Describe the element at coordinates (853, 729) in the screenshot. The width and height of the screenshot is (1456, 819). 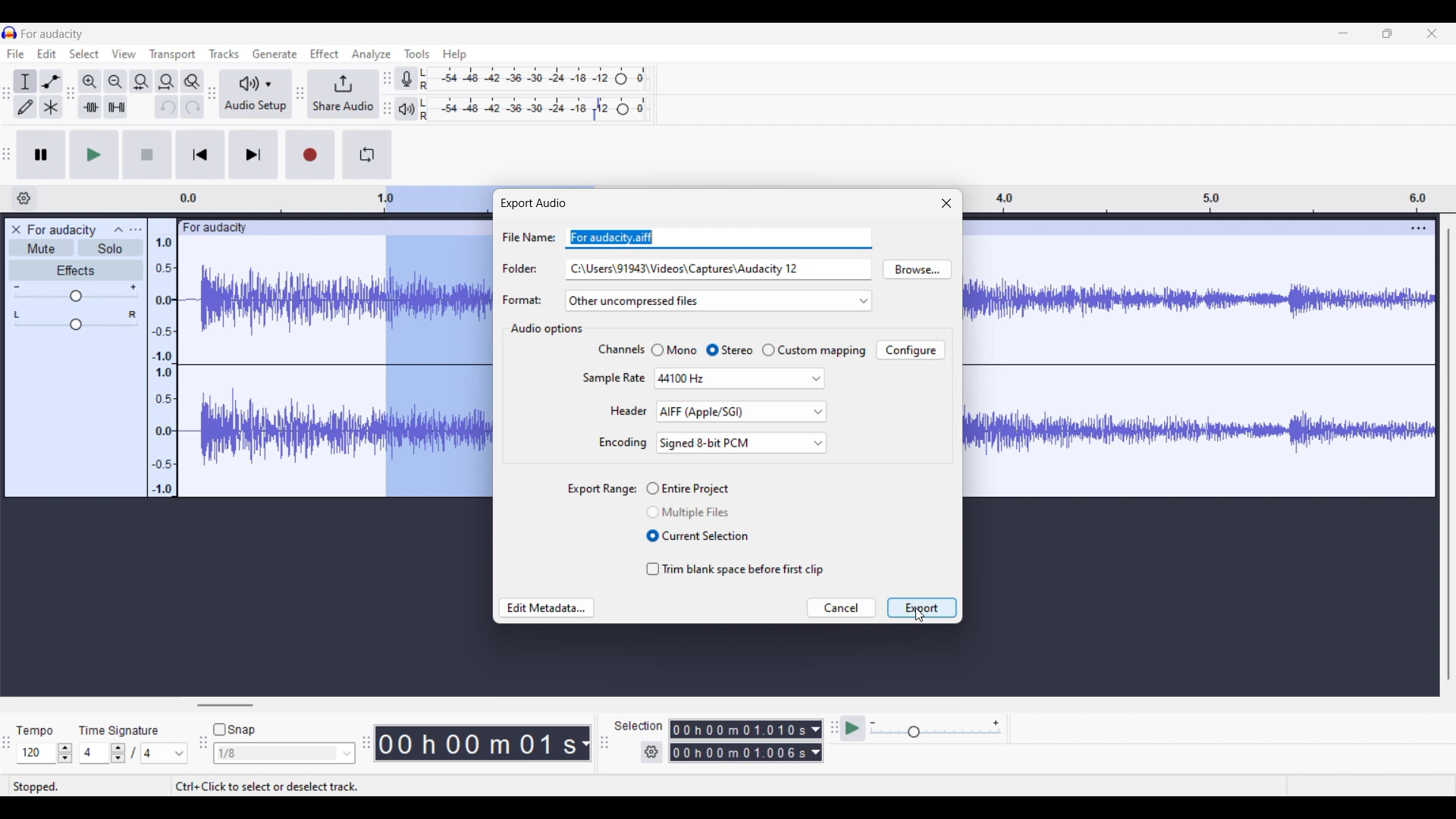
I see `Play at speed once/Play at speed` at that location.